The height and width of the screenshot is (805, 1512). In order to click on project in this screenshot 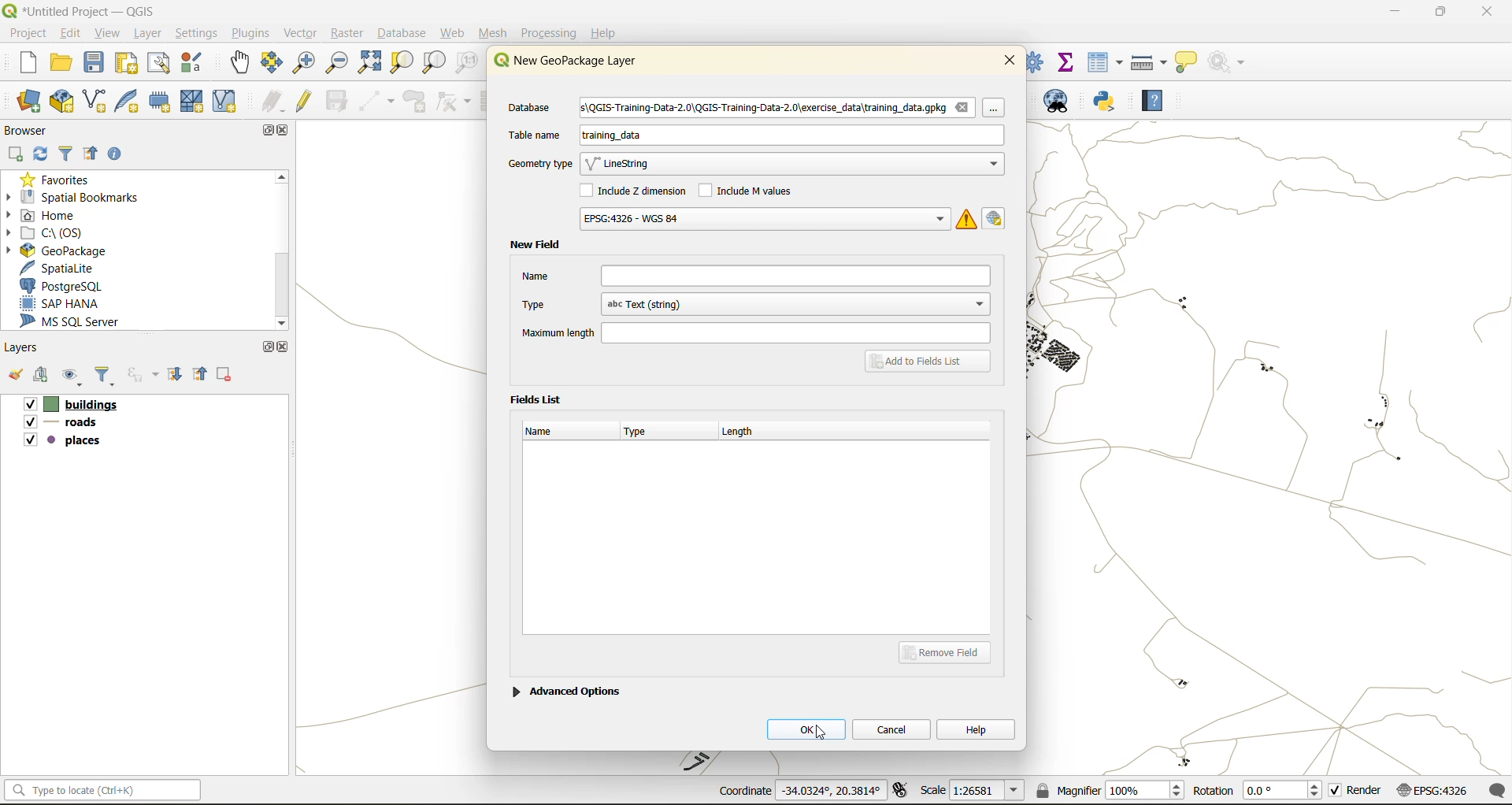, I will do `click(27, 32)`.